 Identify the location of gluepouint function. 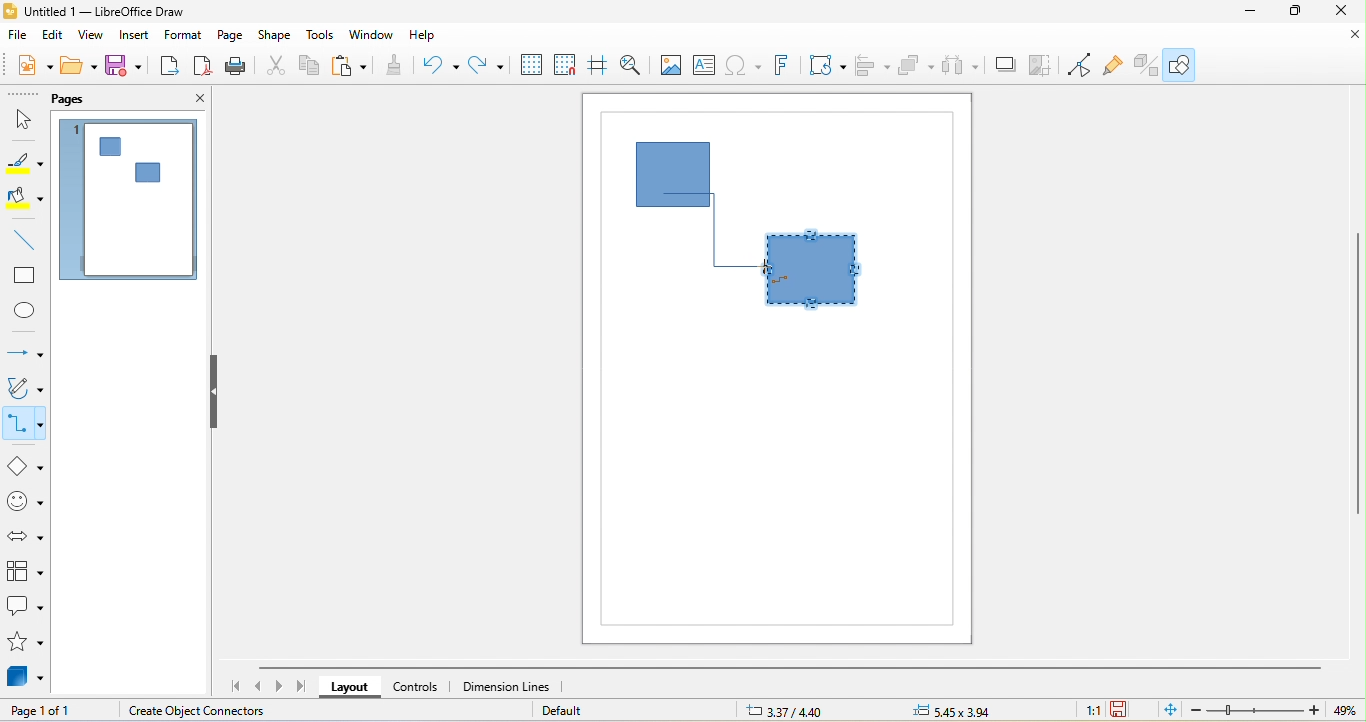
(1117, 64).